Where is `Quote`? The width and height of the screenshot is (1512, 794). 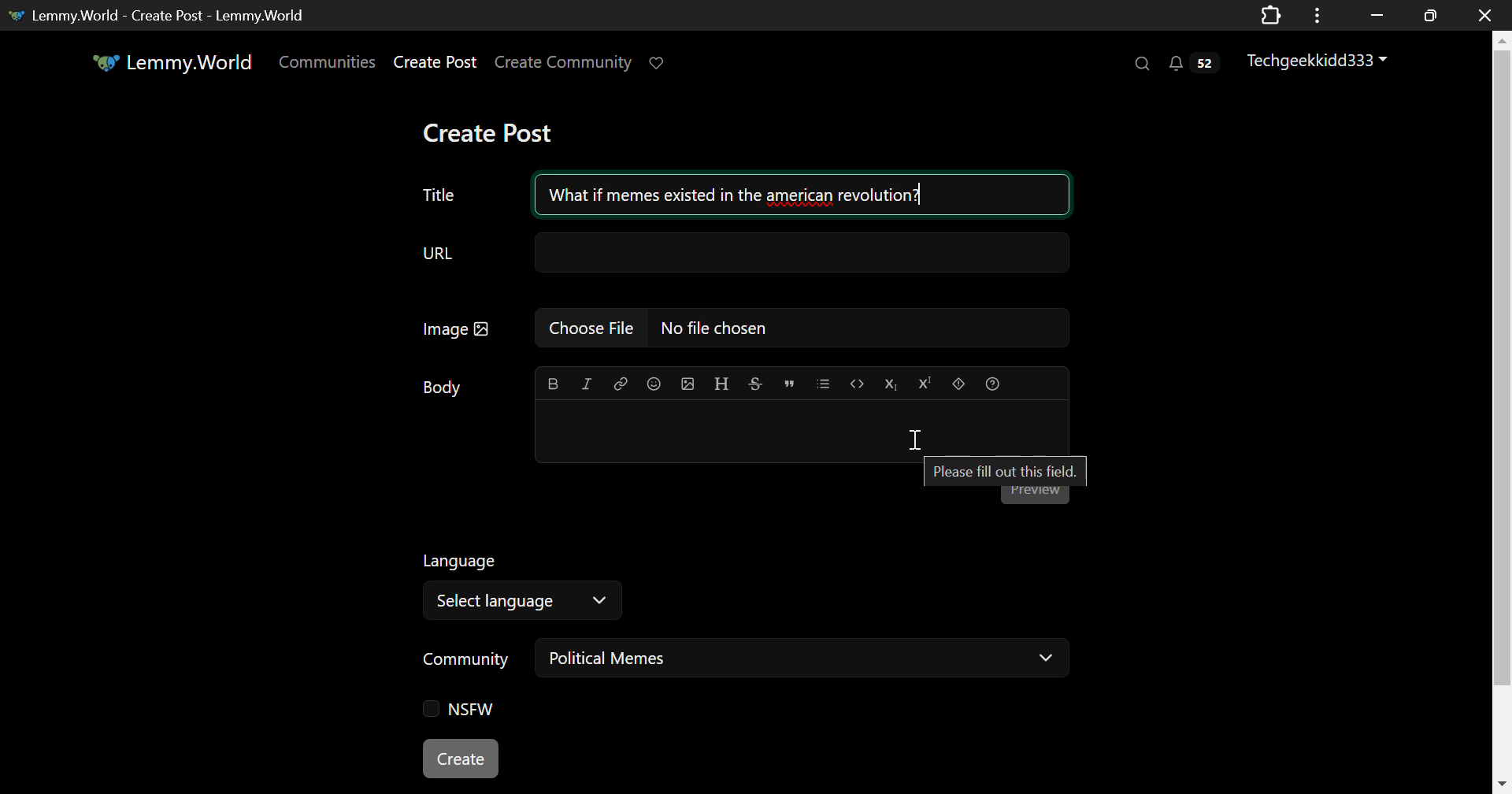 Quote is located at coordinates (788, 382).